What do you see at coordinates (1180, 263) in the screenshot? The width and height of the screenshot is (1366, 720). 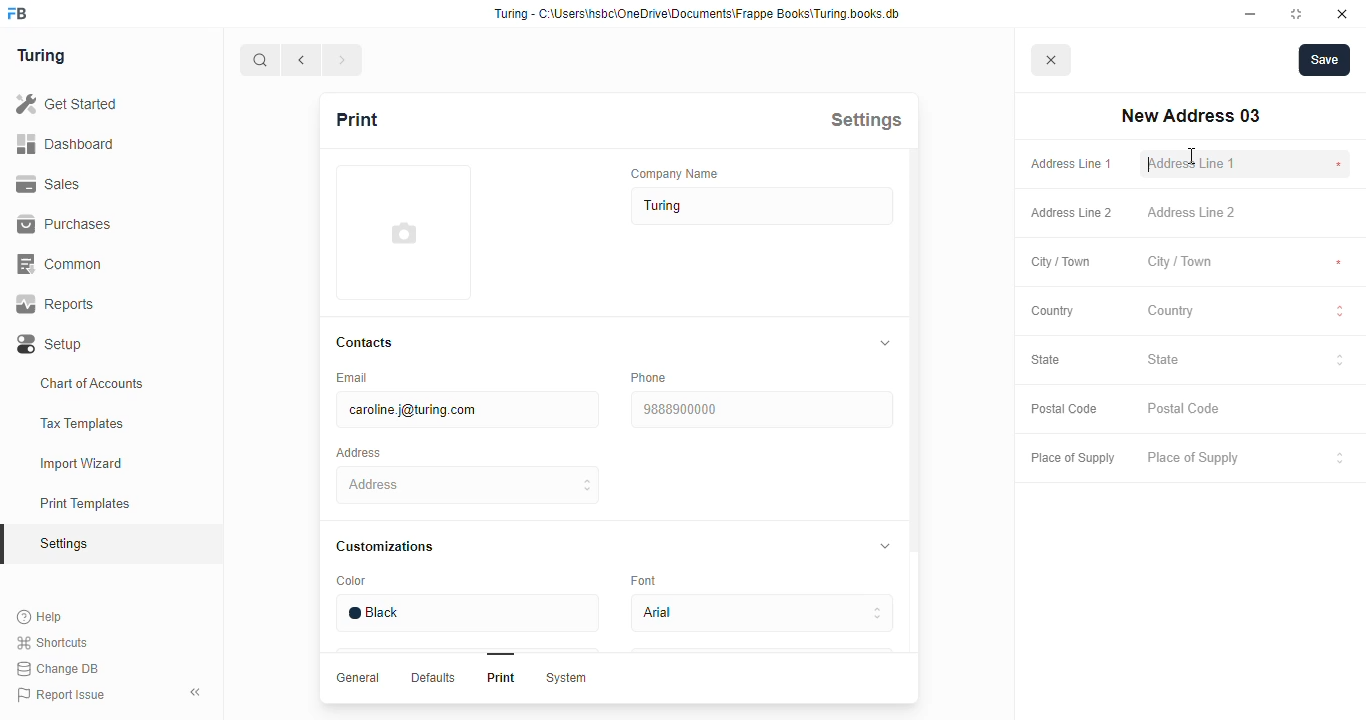 I see `city/town` at bounding box center [1180, 263].